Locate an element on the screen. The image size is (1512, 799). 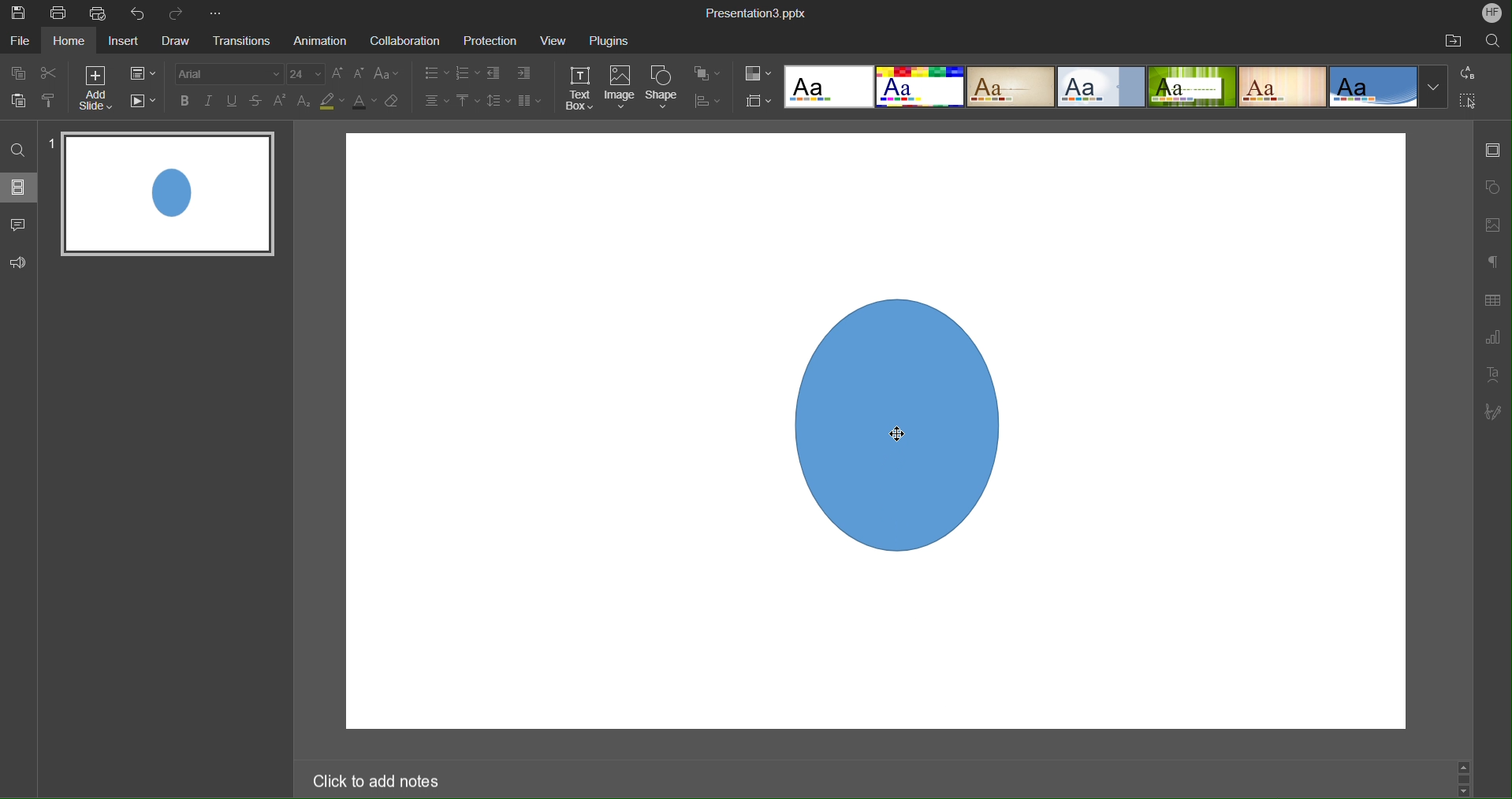
Transitions is located at coordinates (239, 42).